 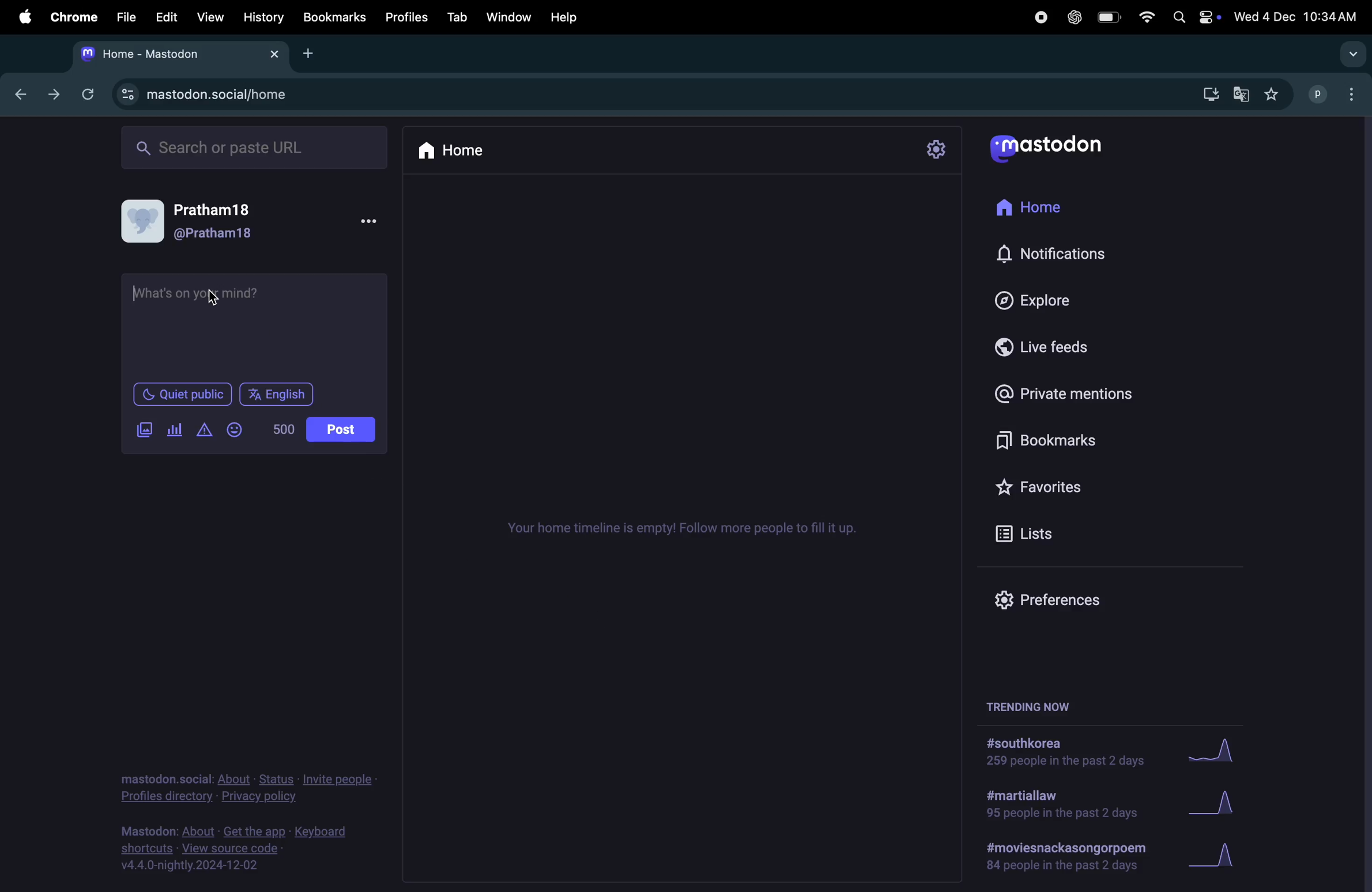 What do you see at coordinates (1042, 345) in the screenshot?
I see `Live feeds` at bounding box center [1042, 345].